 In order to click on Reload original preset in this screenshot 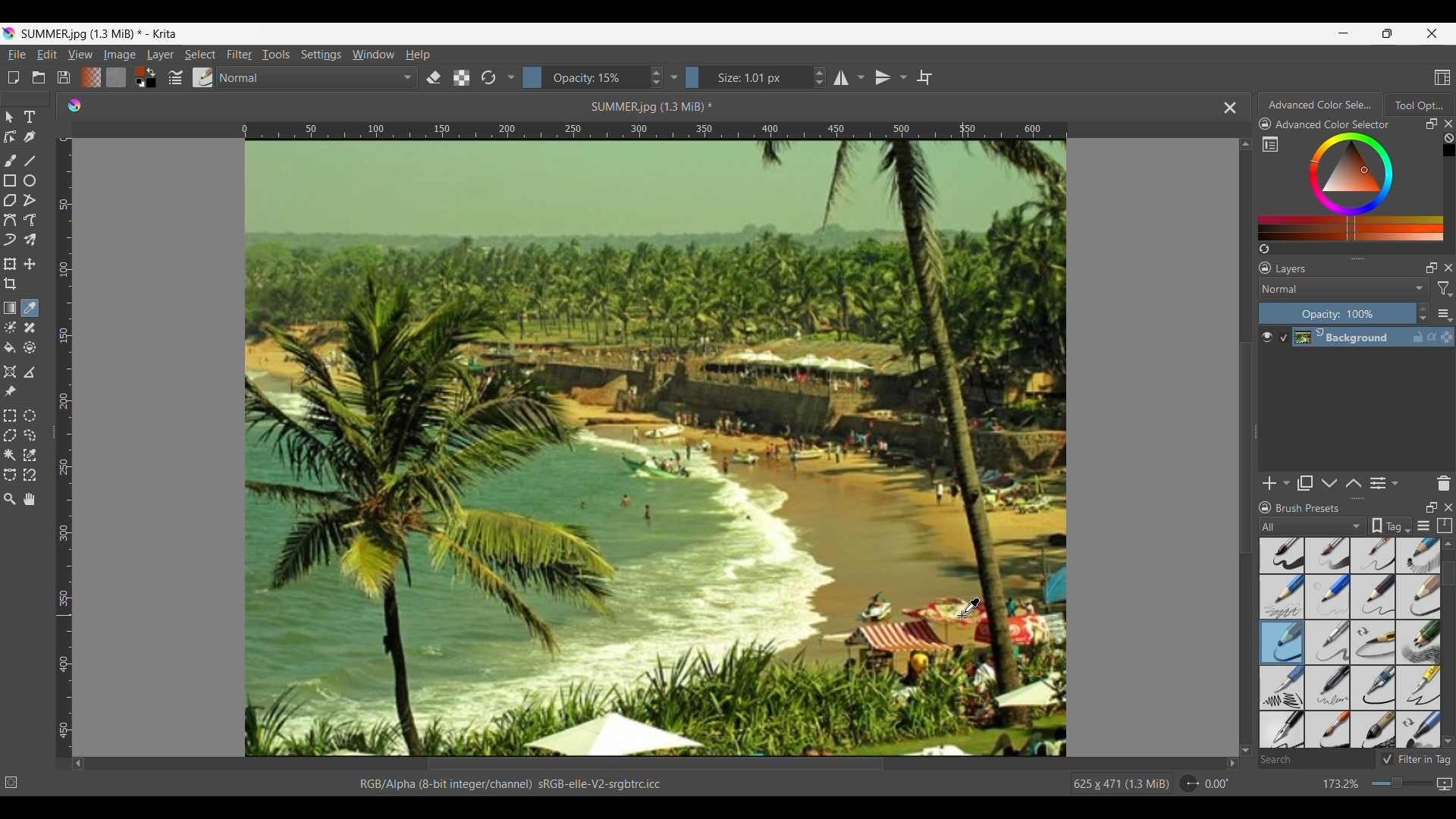, I will do `click(488, 77)`.